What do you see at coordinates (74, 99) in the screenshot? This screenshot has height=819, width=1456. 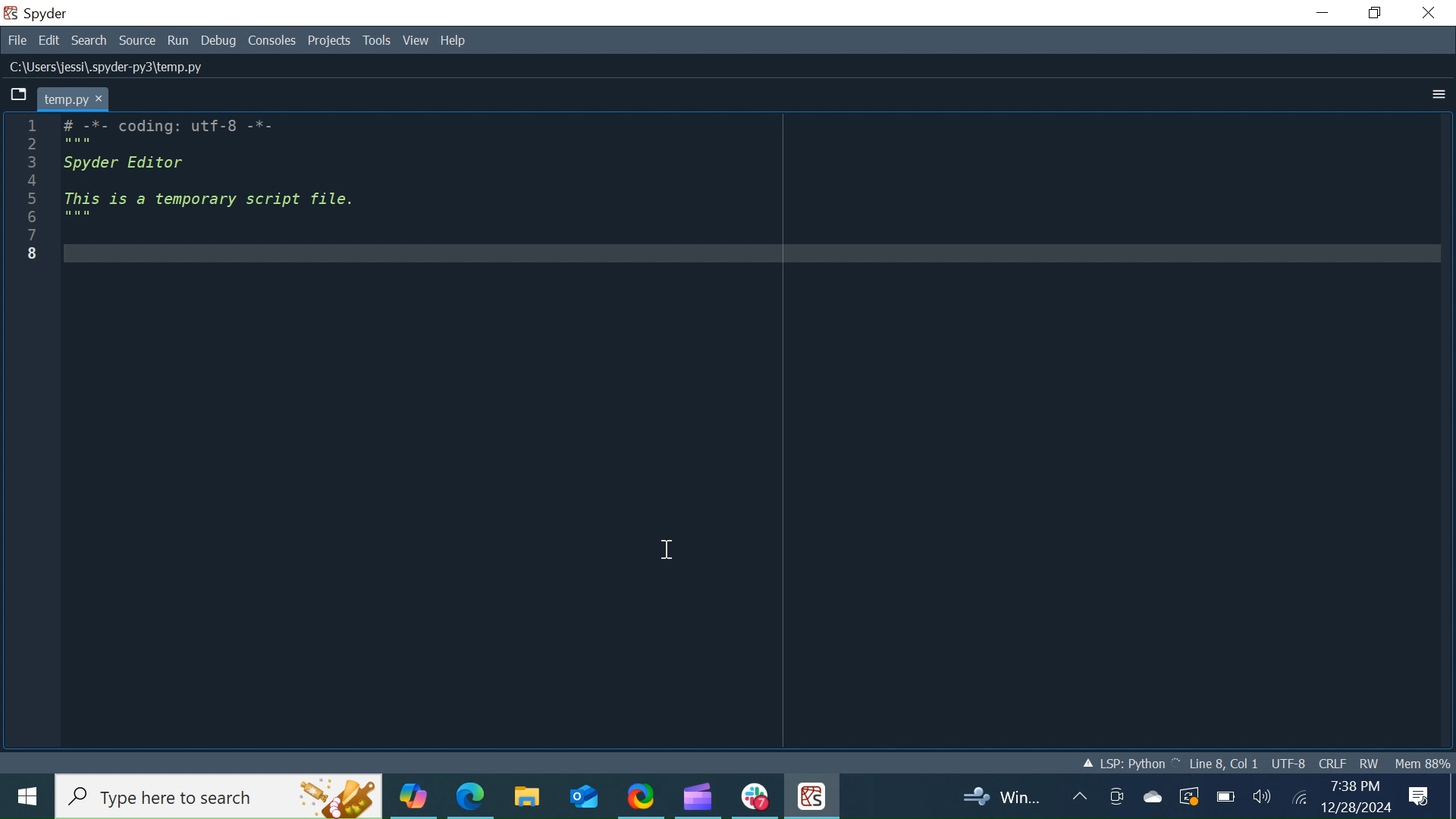 I see `Current tab` at bounding box center [74, 99].